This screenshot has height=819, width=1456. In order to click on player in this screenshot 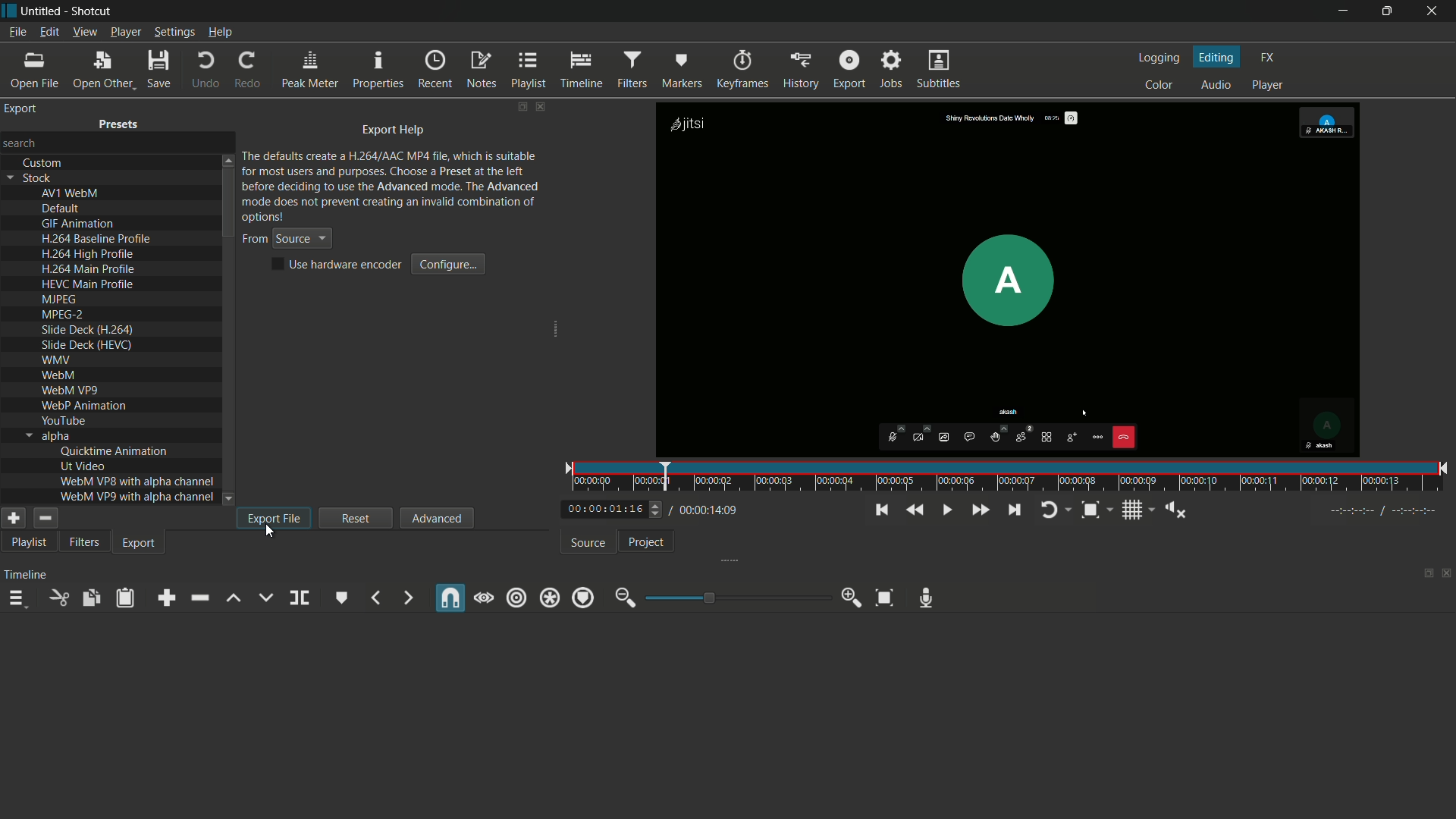, I will do `click(1269, 86)`.